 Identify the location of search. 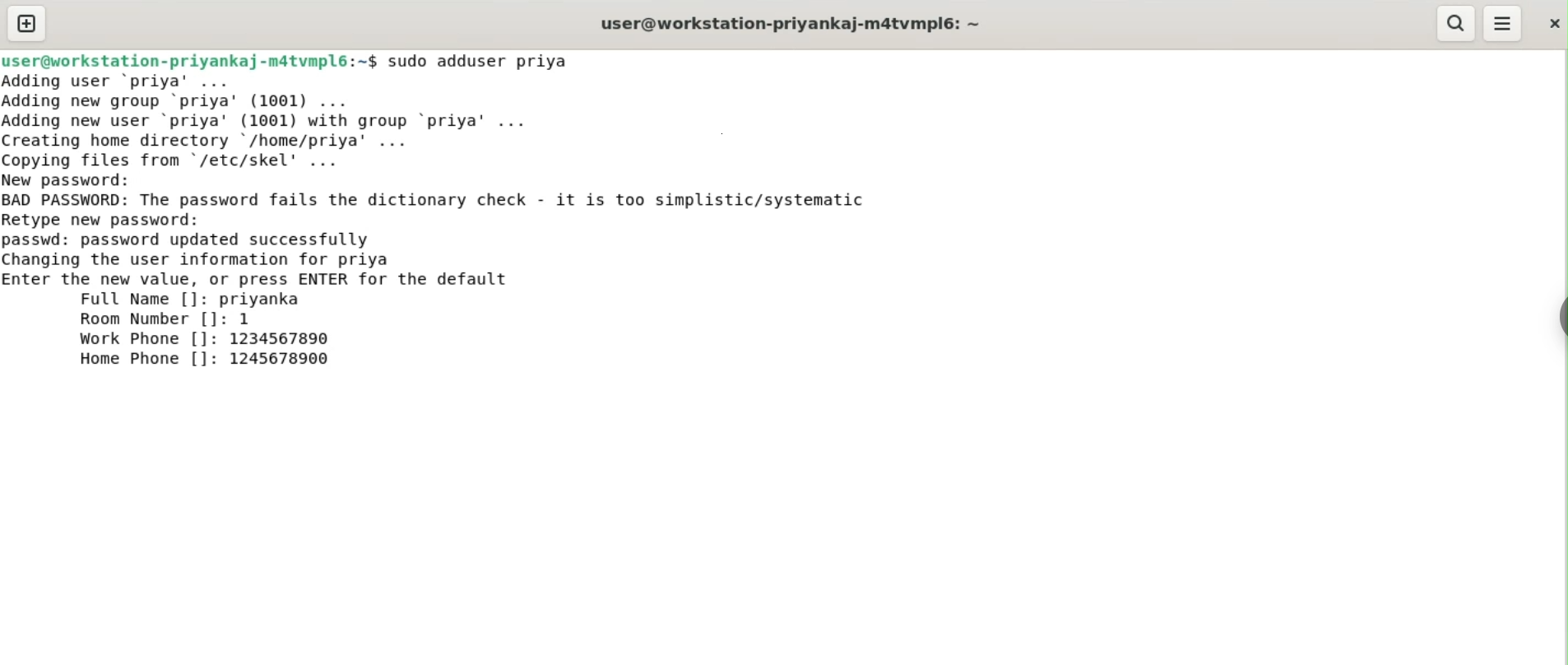
(1457, 24).